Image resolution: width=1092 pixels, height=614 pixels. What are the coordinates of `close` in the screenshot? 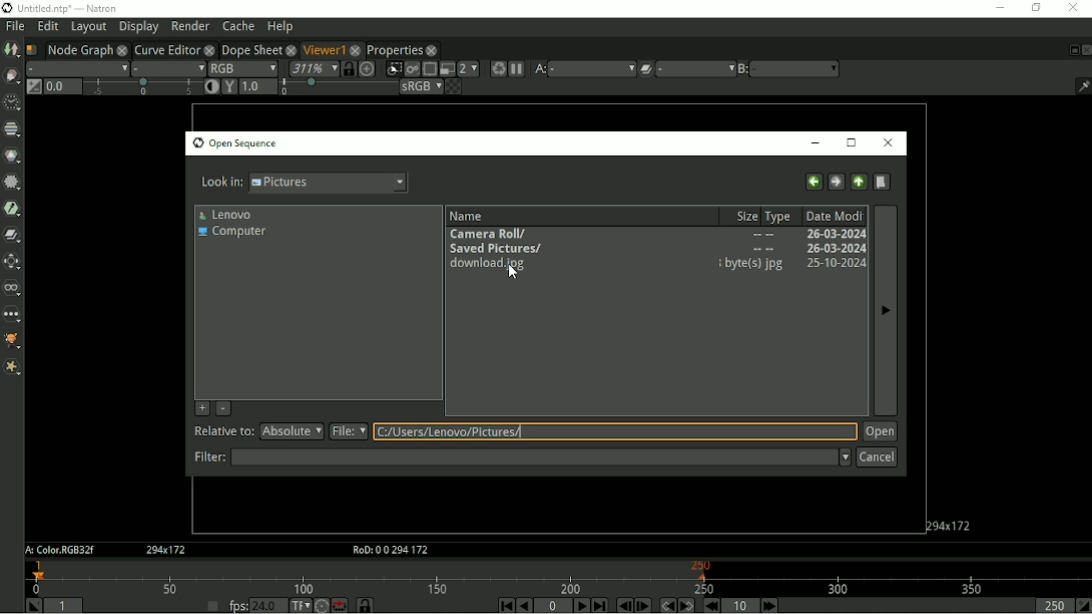 It's located at (290, 49).